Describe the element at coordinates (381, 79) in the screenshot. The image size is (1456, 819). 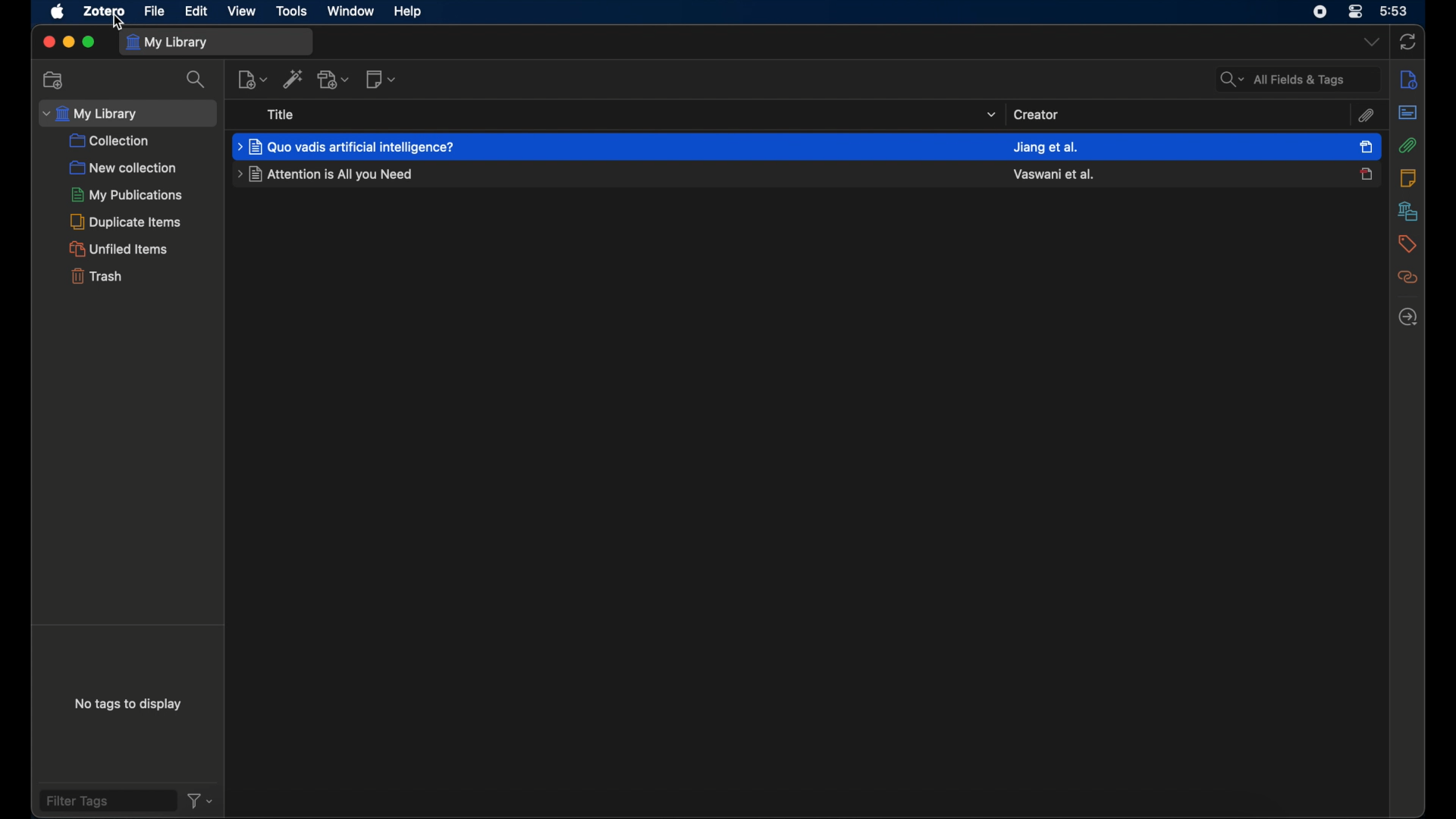
I see `new note` at that location.